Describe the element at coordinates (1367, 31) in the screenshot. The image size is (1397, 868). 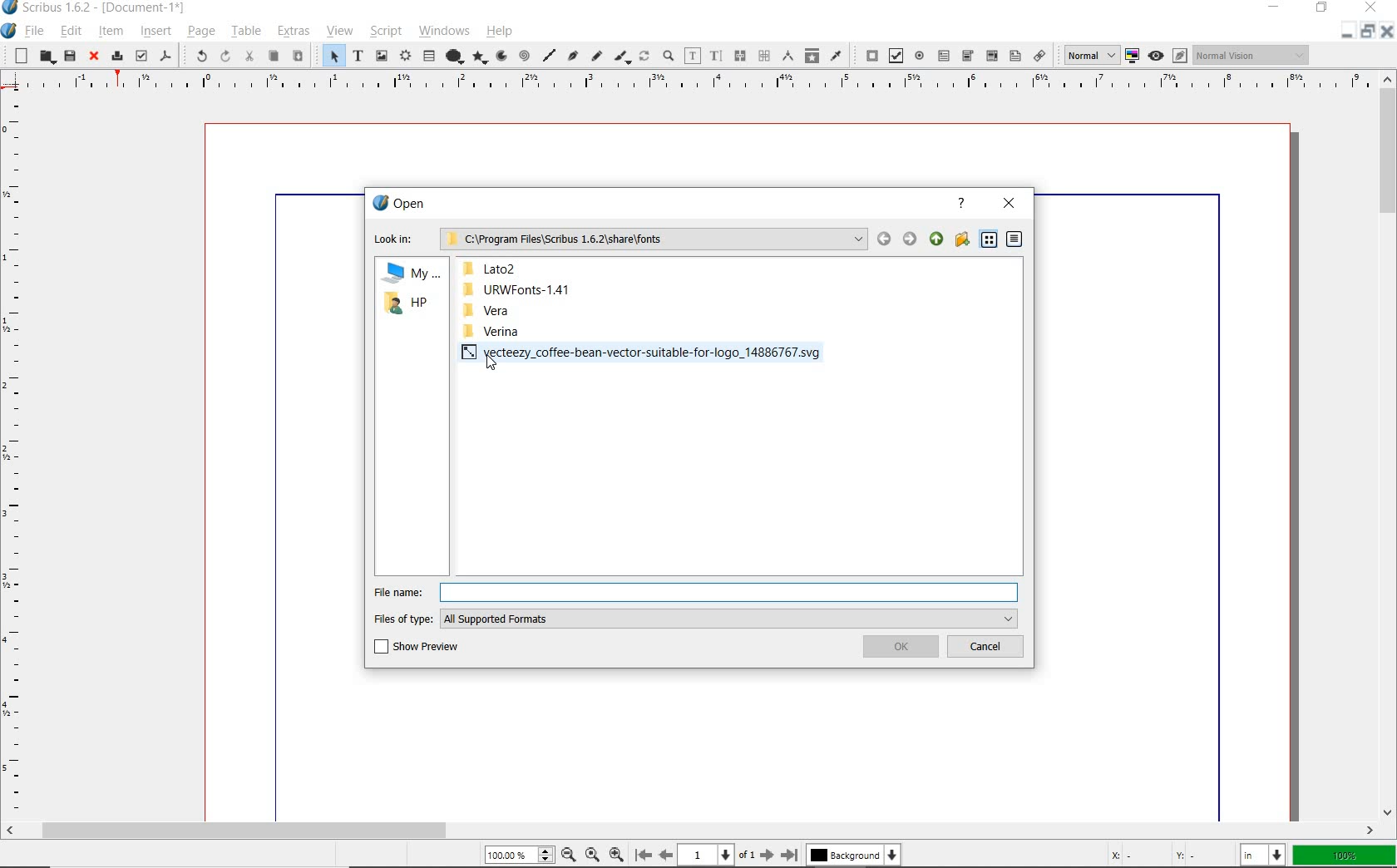
I see `Minimize` at that location.